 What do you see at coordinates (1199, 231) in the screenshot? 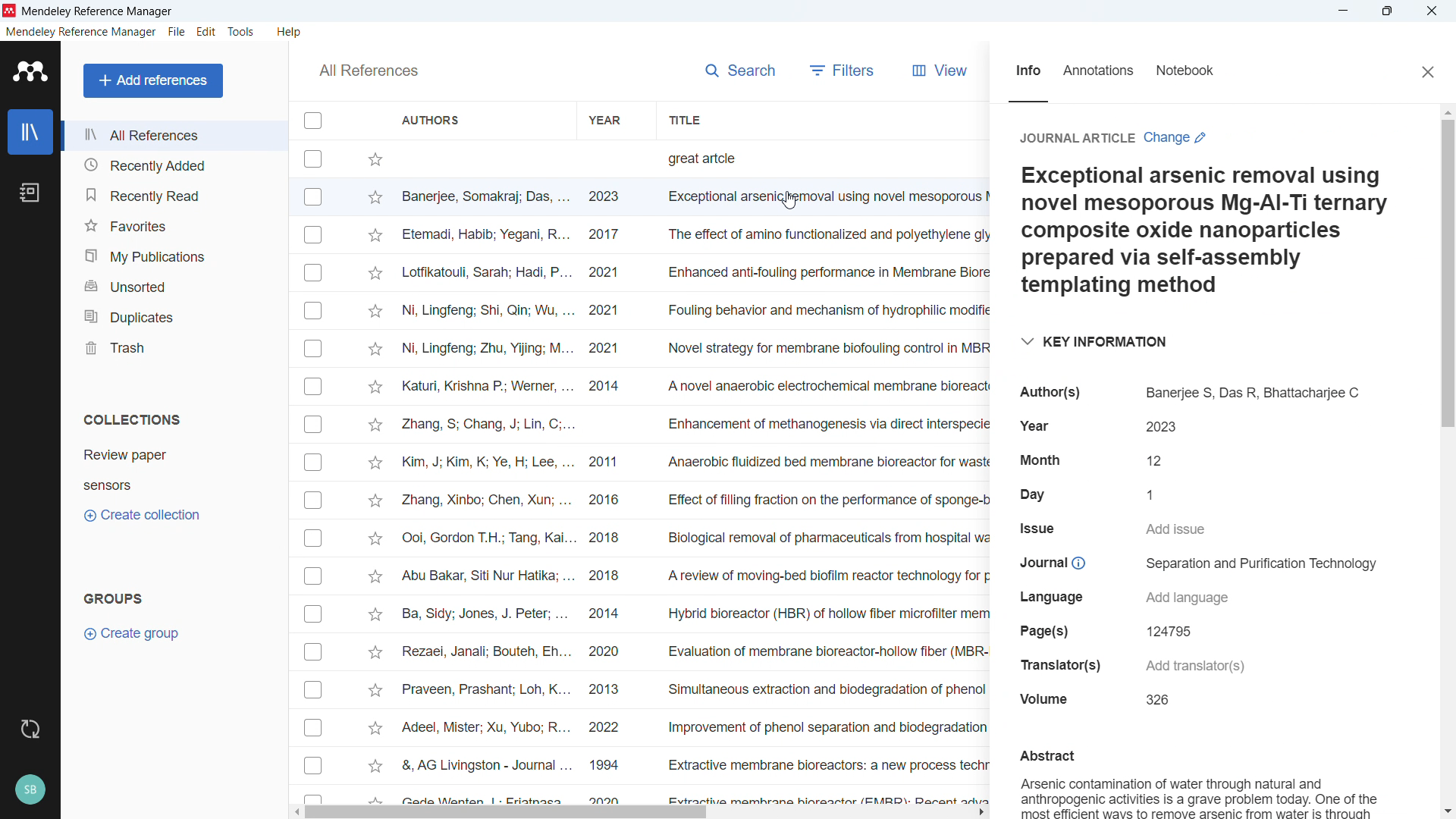
I see `Title of the article ` at bounding box center [1199, 231].